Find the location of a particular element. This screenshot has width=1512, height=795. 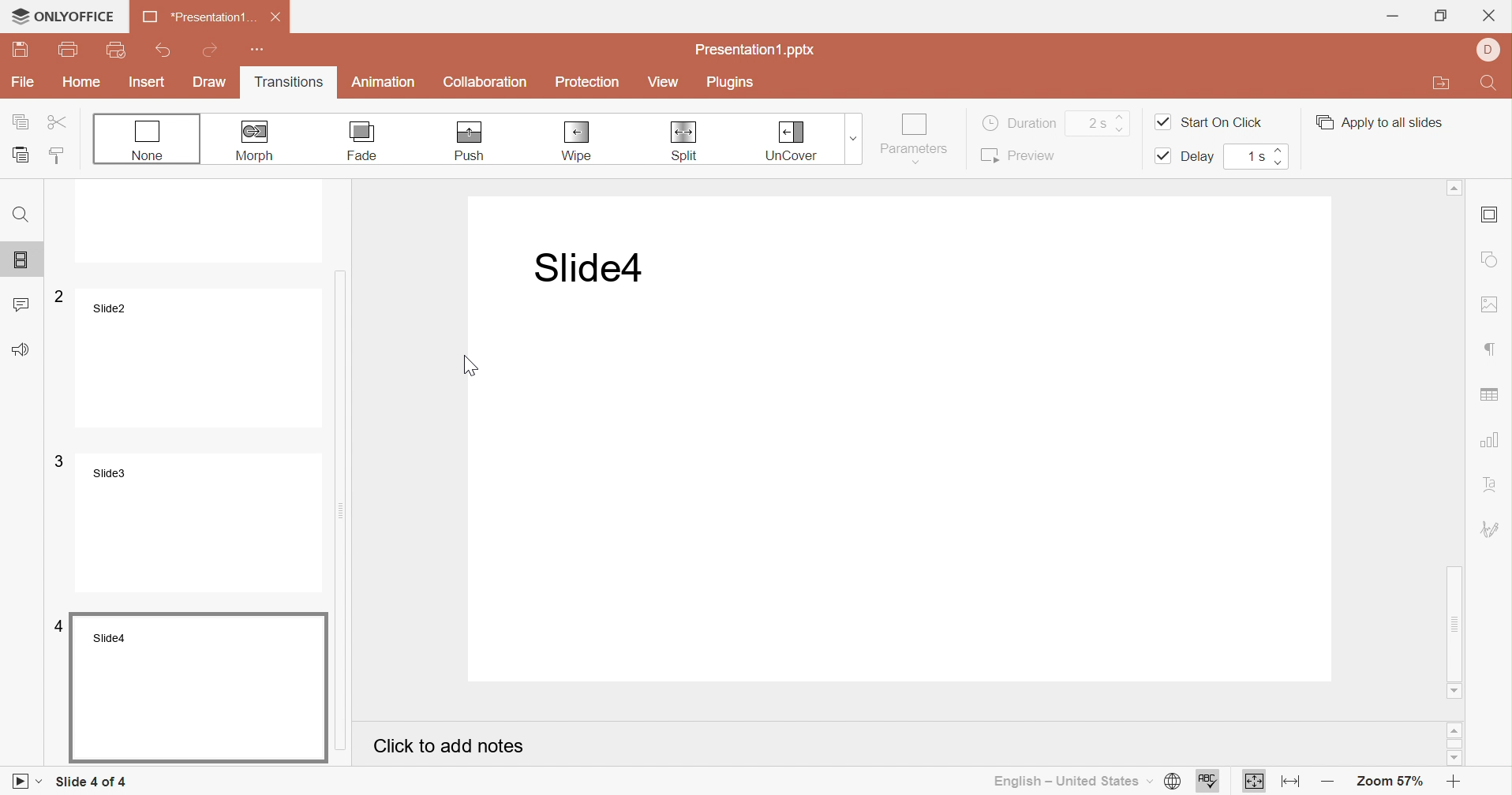

Draw is located at coordinates (211, 82).